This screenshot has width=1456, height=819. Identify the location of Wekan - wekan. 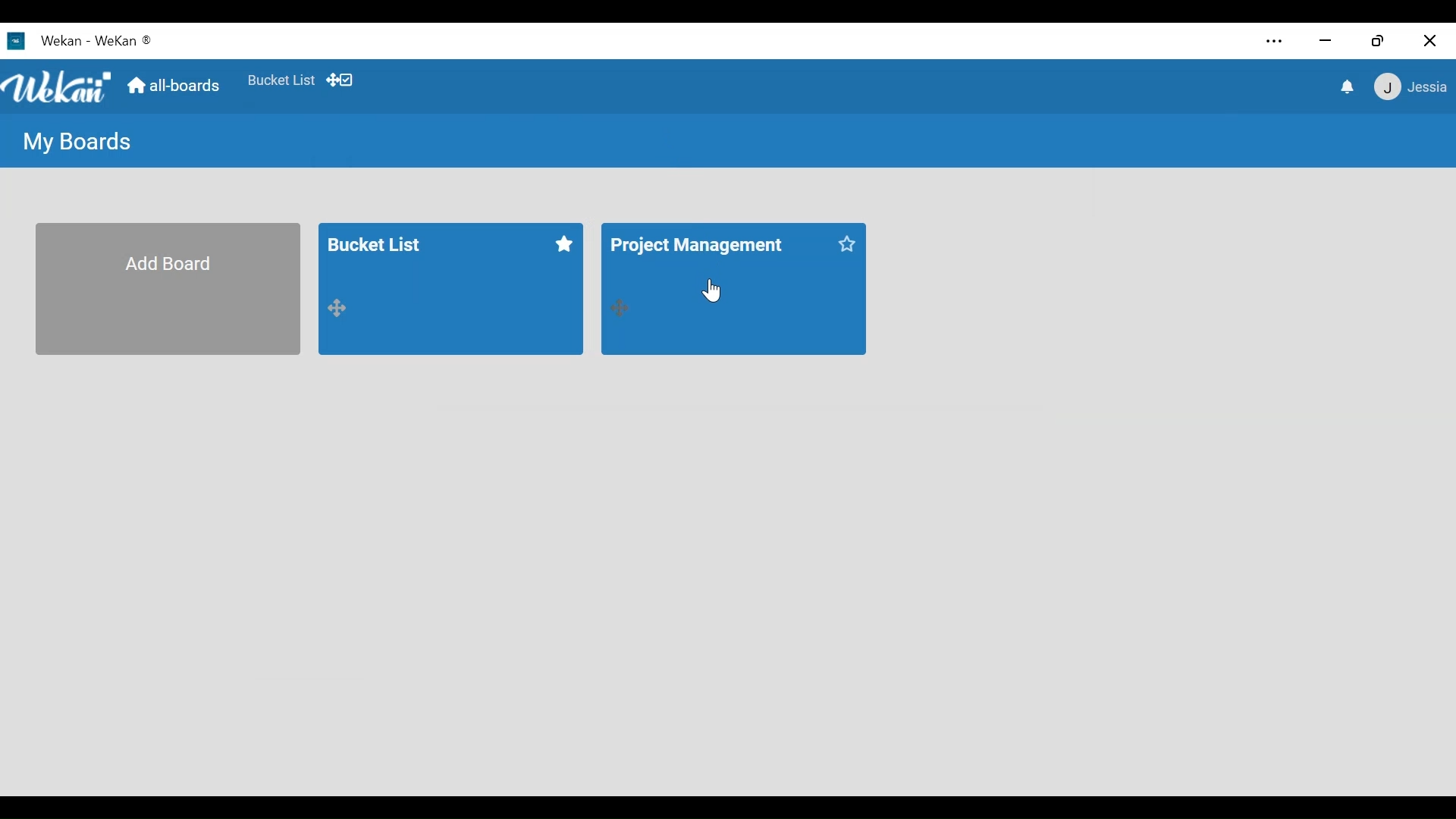
(107, 41).